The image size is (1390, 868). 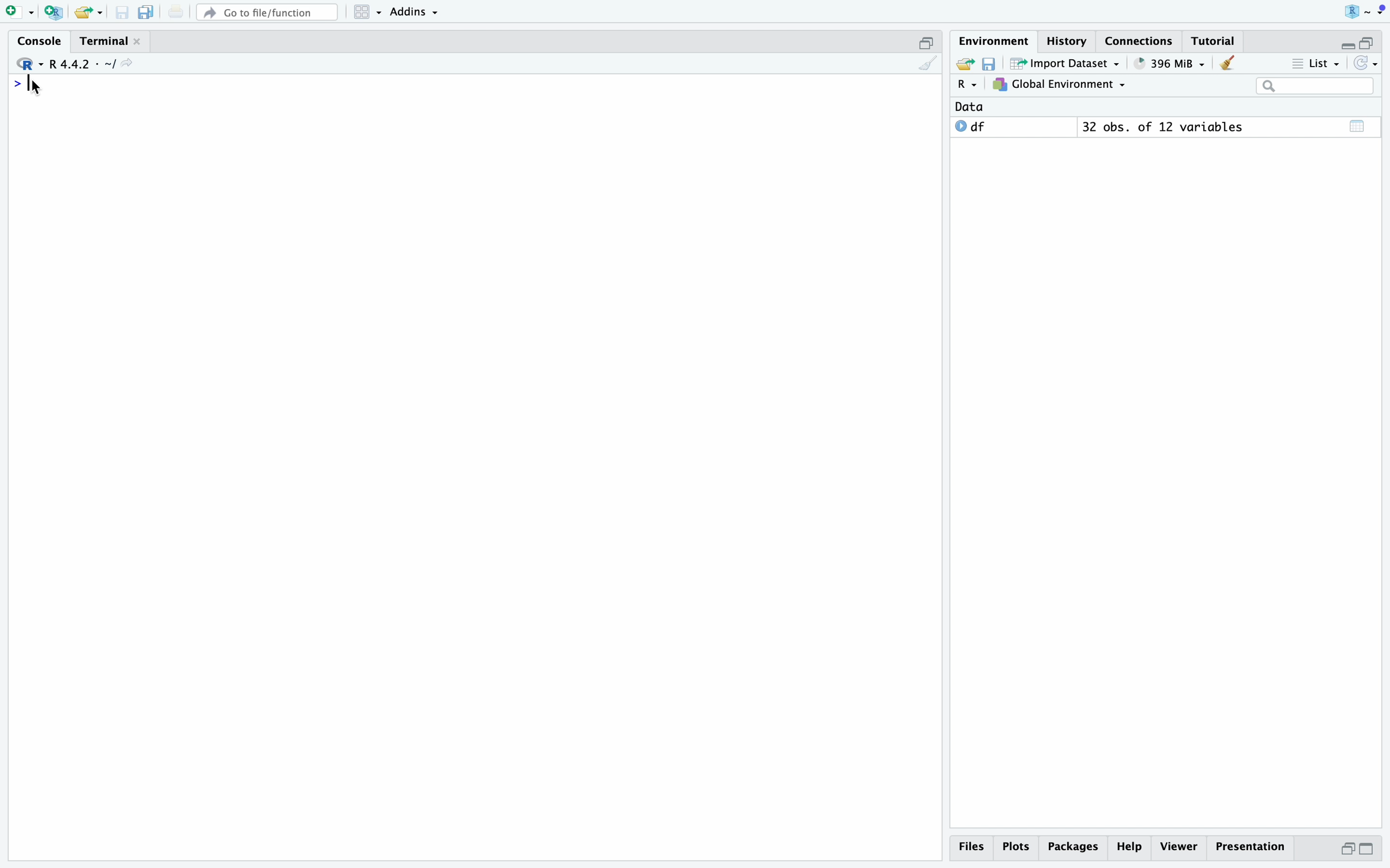 I want to click on open in separate window, so click(x=1347, y=849).